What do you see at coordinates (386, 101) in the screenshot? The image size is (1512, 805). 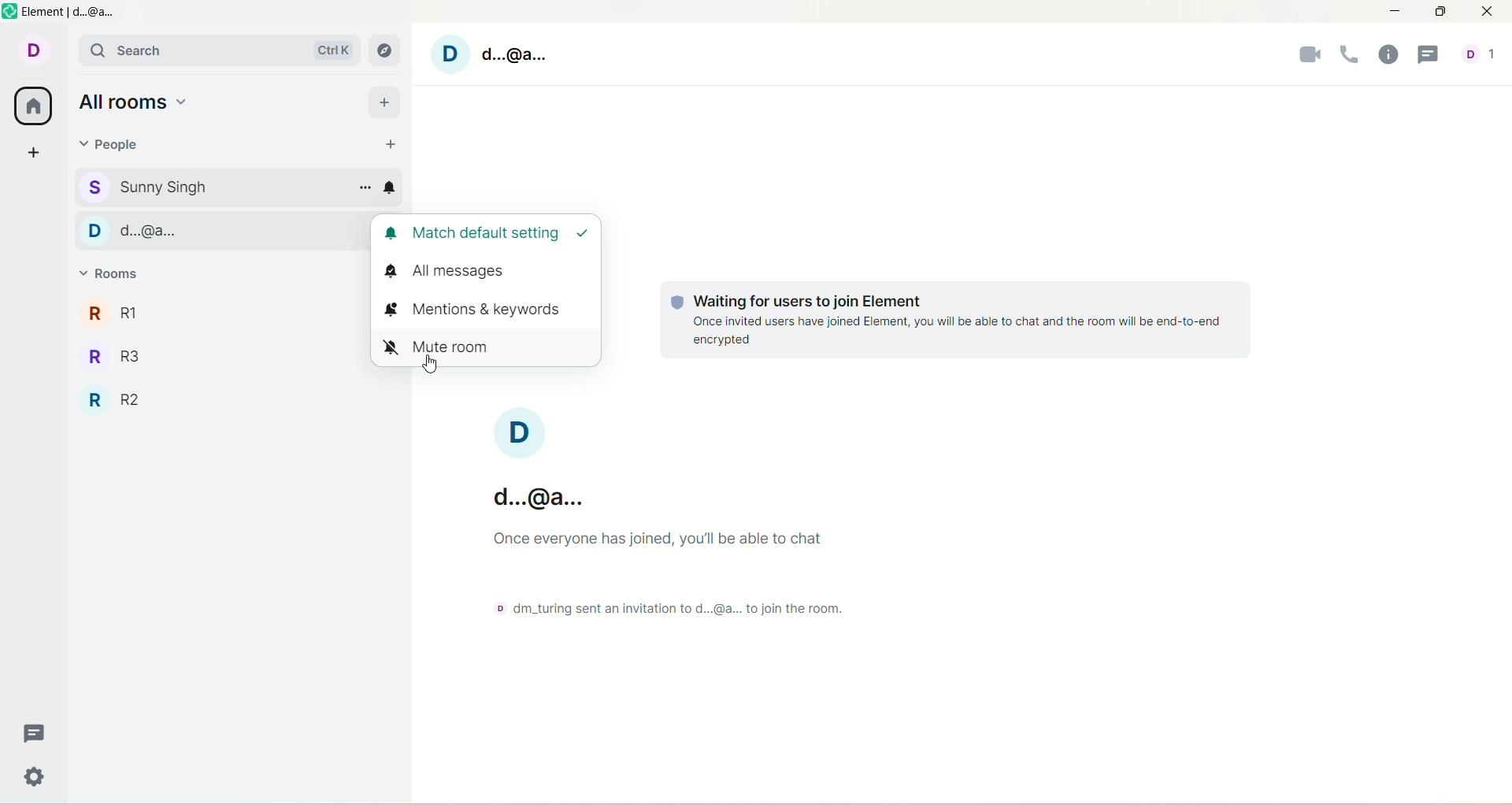 I see `add` at bounding box center [386, 101].